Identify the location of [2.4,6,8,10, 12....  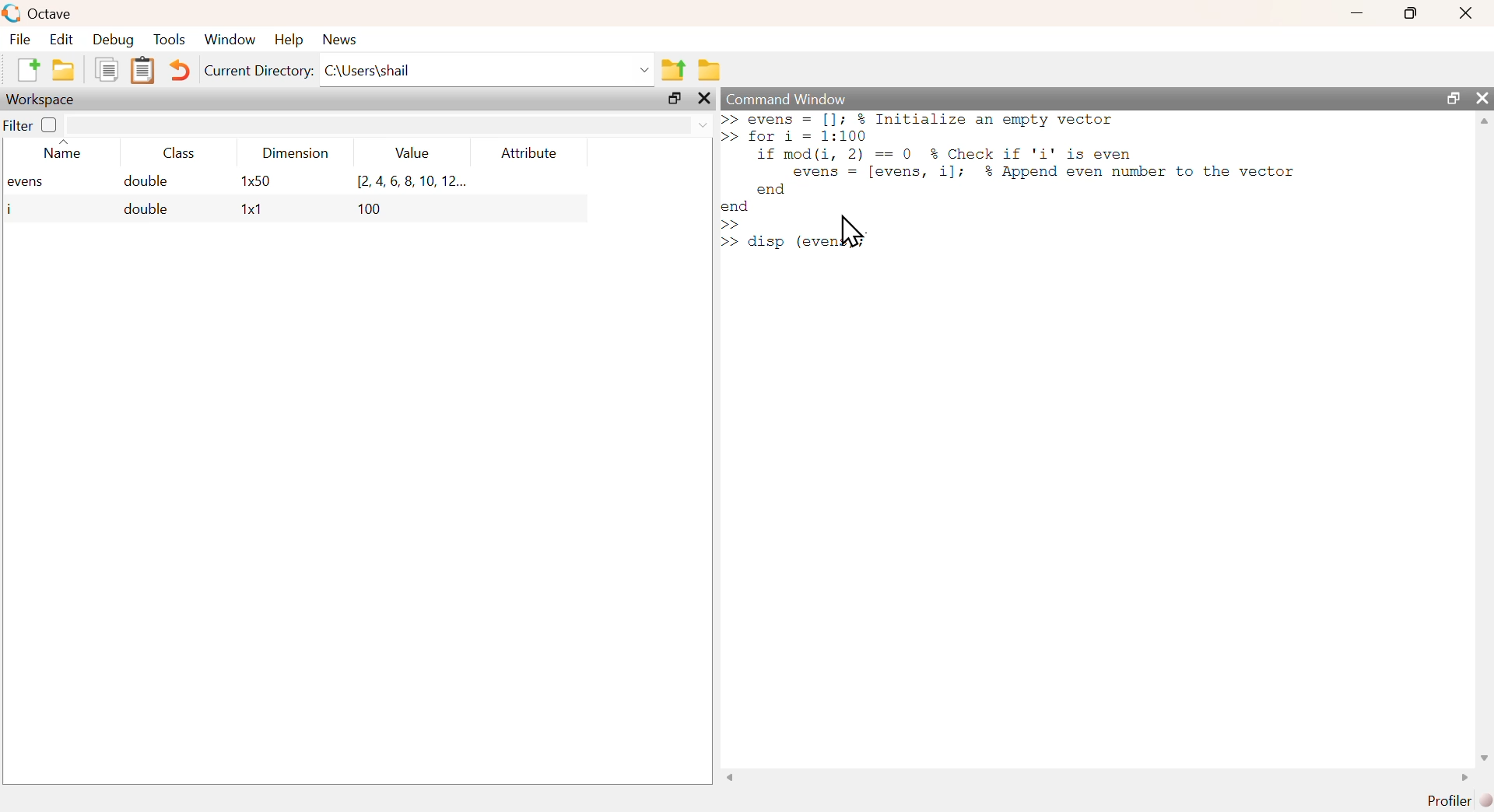
(412, 181).